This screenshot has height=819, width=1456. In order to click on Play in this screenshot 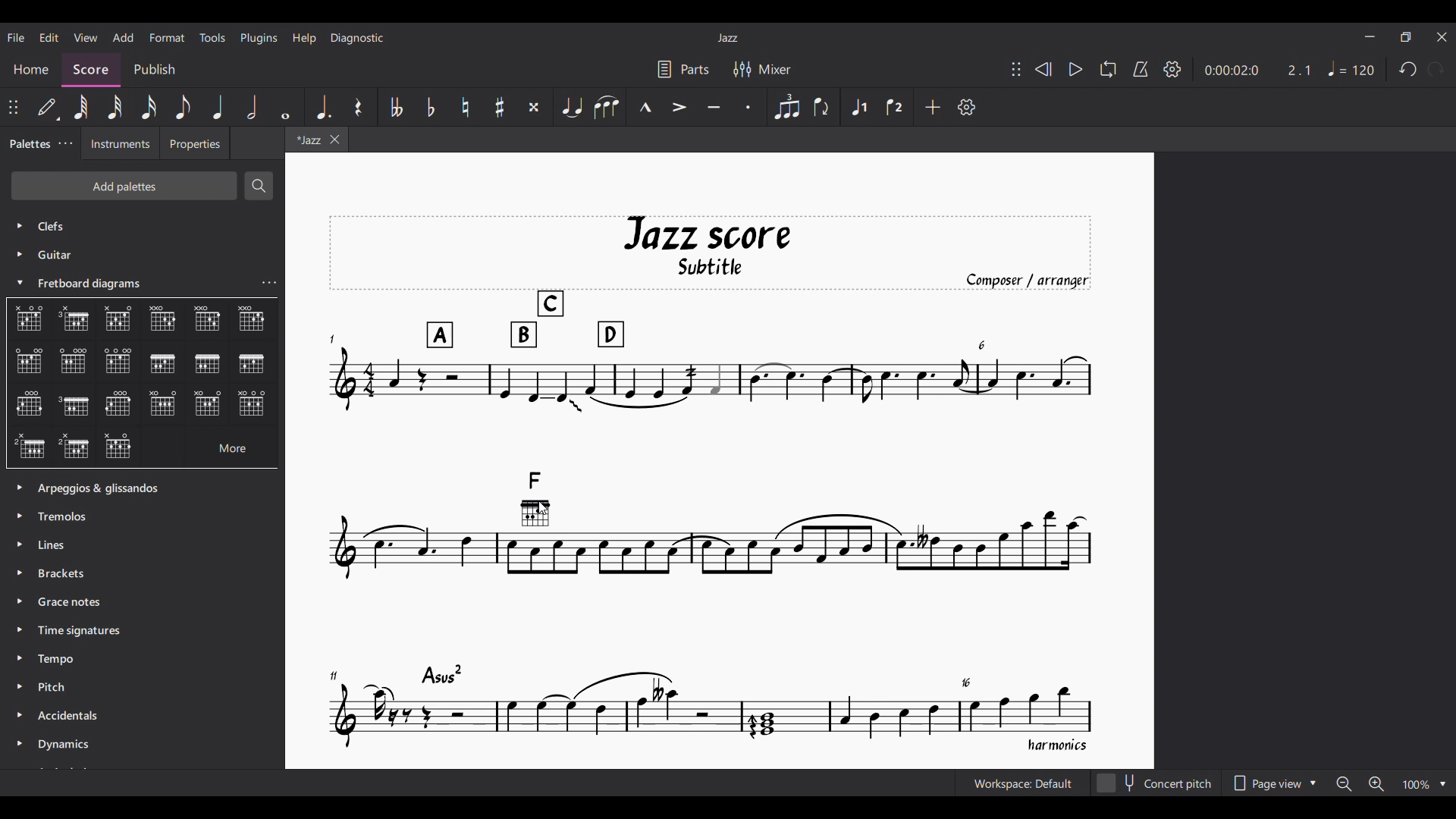, I will do `click(1077, 70)`.